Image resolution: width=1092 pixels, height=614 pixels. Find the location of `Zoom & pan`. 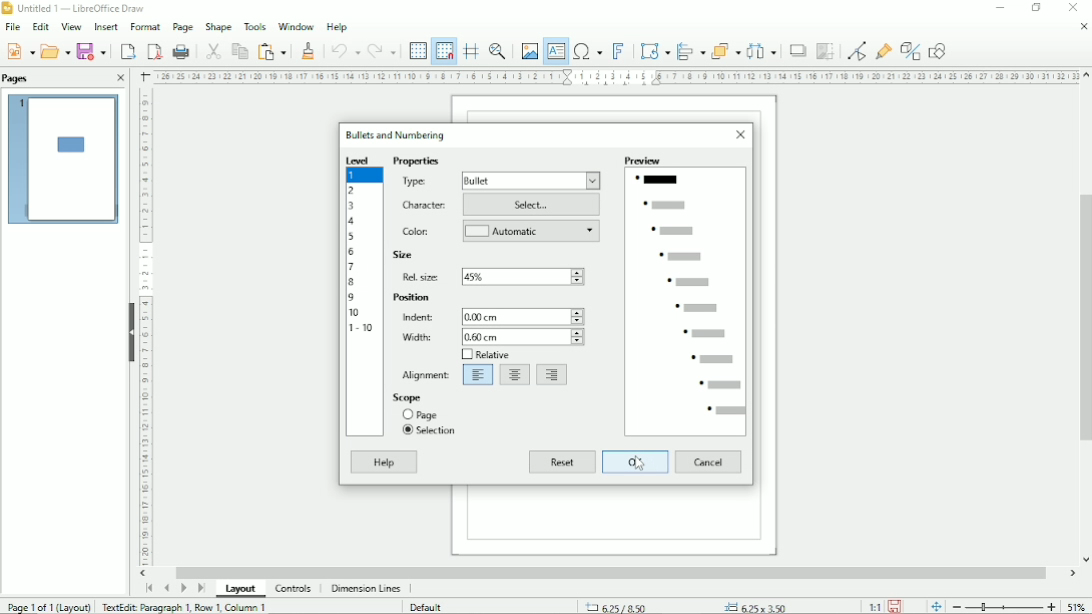

Zoom & pan is located at coordinates (499, 49).